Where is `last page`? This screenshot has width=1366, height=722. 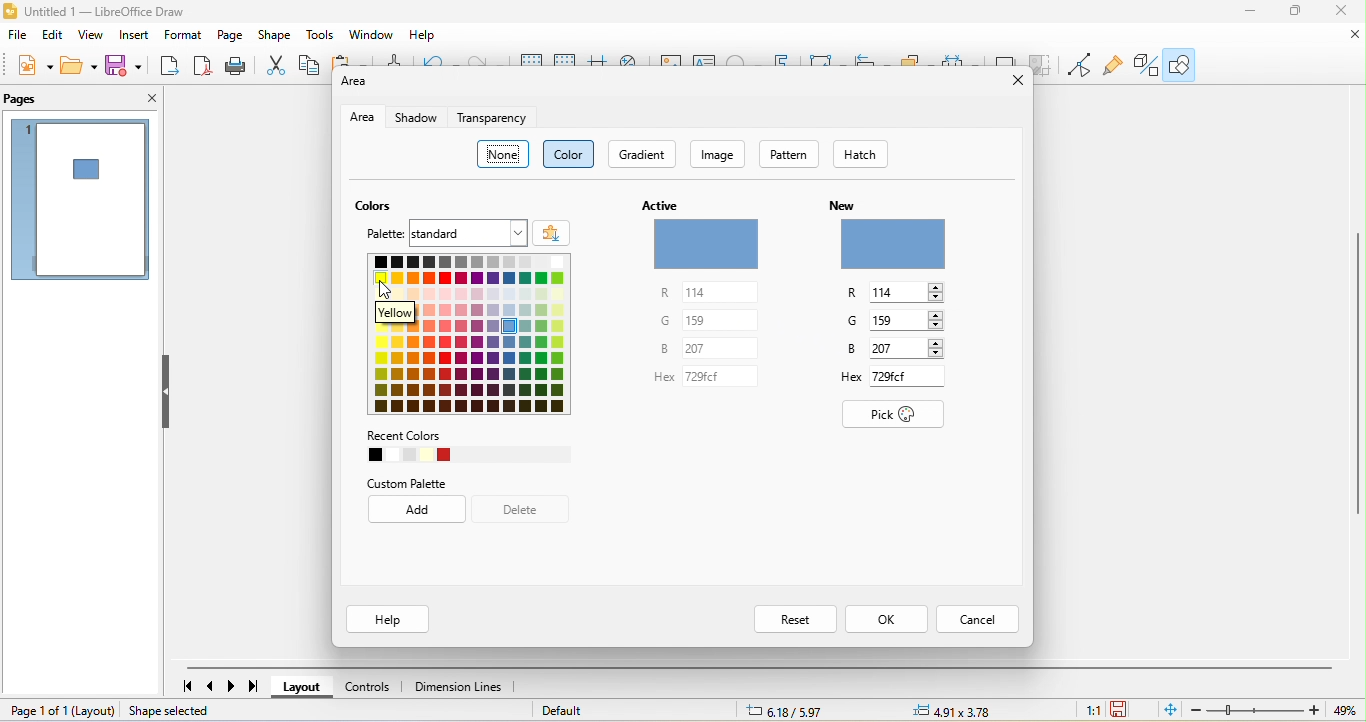
last page is located at coordinates (261, 686).